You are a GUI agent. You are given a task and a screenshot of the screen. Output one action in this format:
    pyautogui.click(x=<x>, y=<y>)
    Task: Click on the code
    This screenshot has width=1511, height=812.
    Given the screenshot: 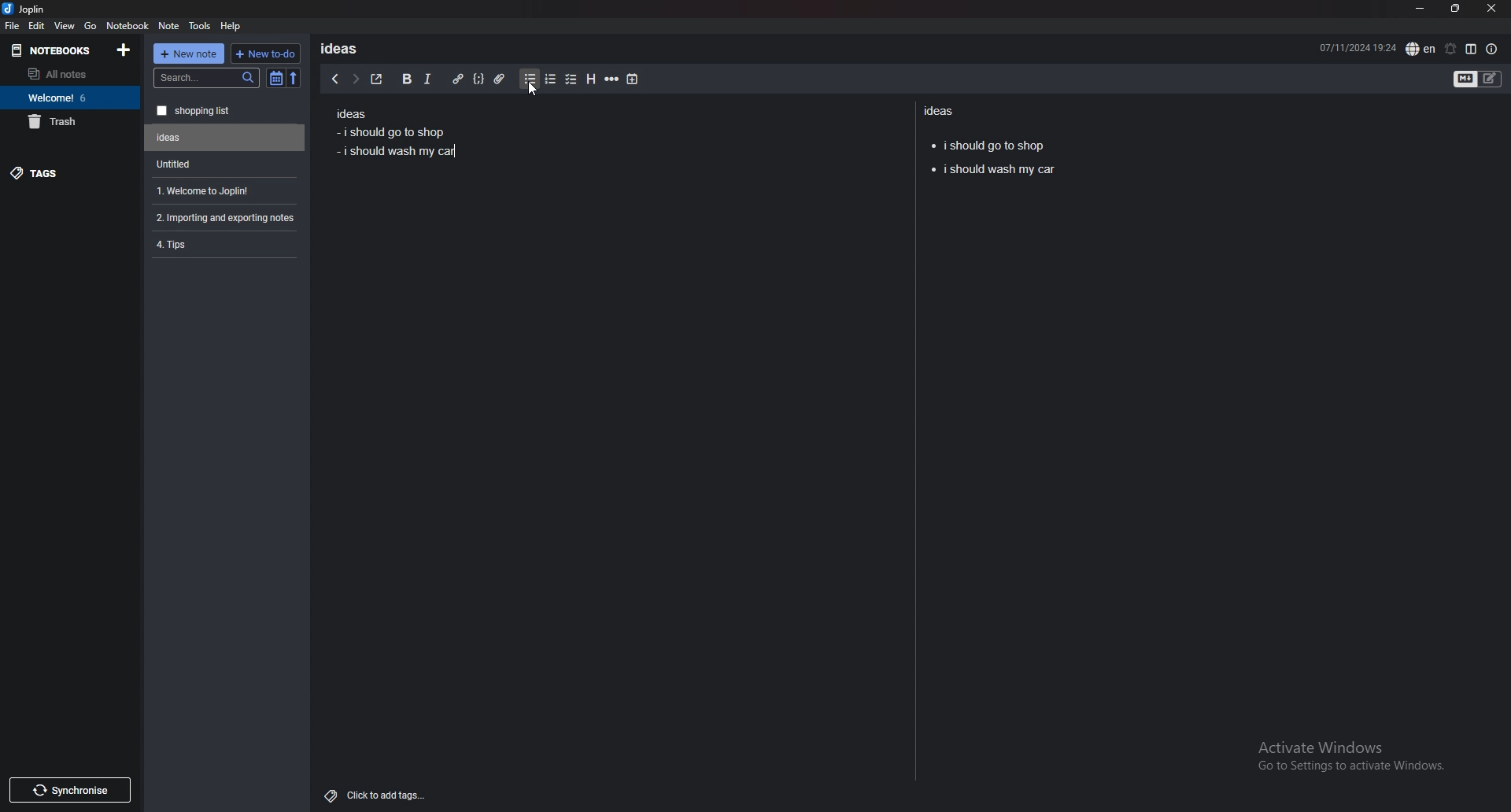 What is the action you would take?
    pyautogui.click(x=478, y=79)
    